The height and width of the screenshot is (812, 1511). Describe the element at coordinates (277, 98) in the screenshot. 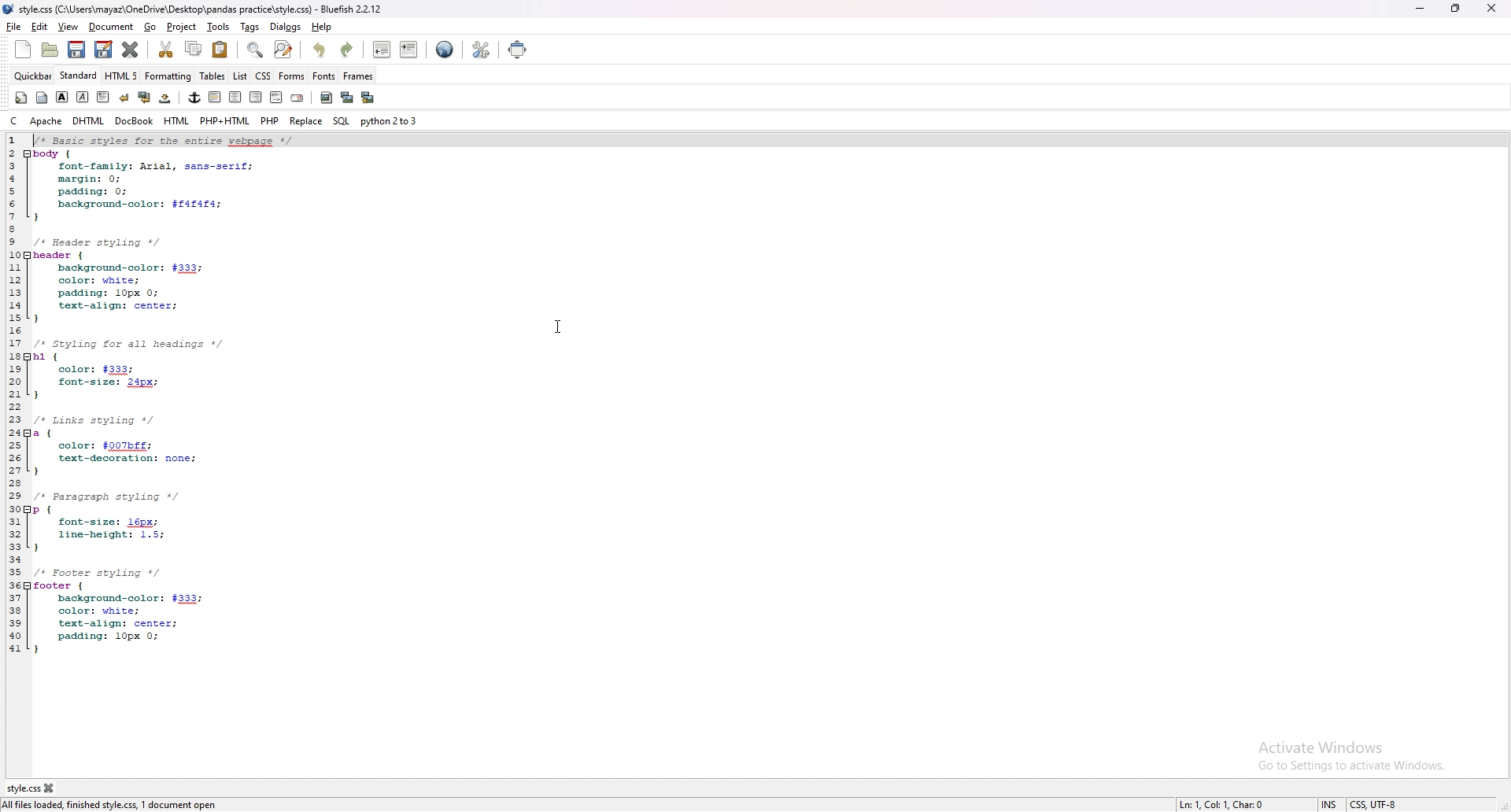

I see `html comment` at that location.